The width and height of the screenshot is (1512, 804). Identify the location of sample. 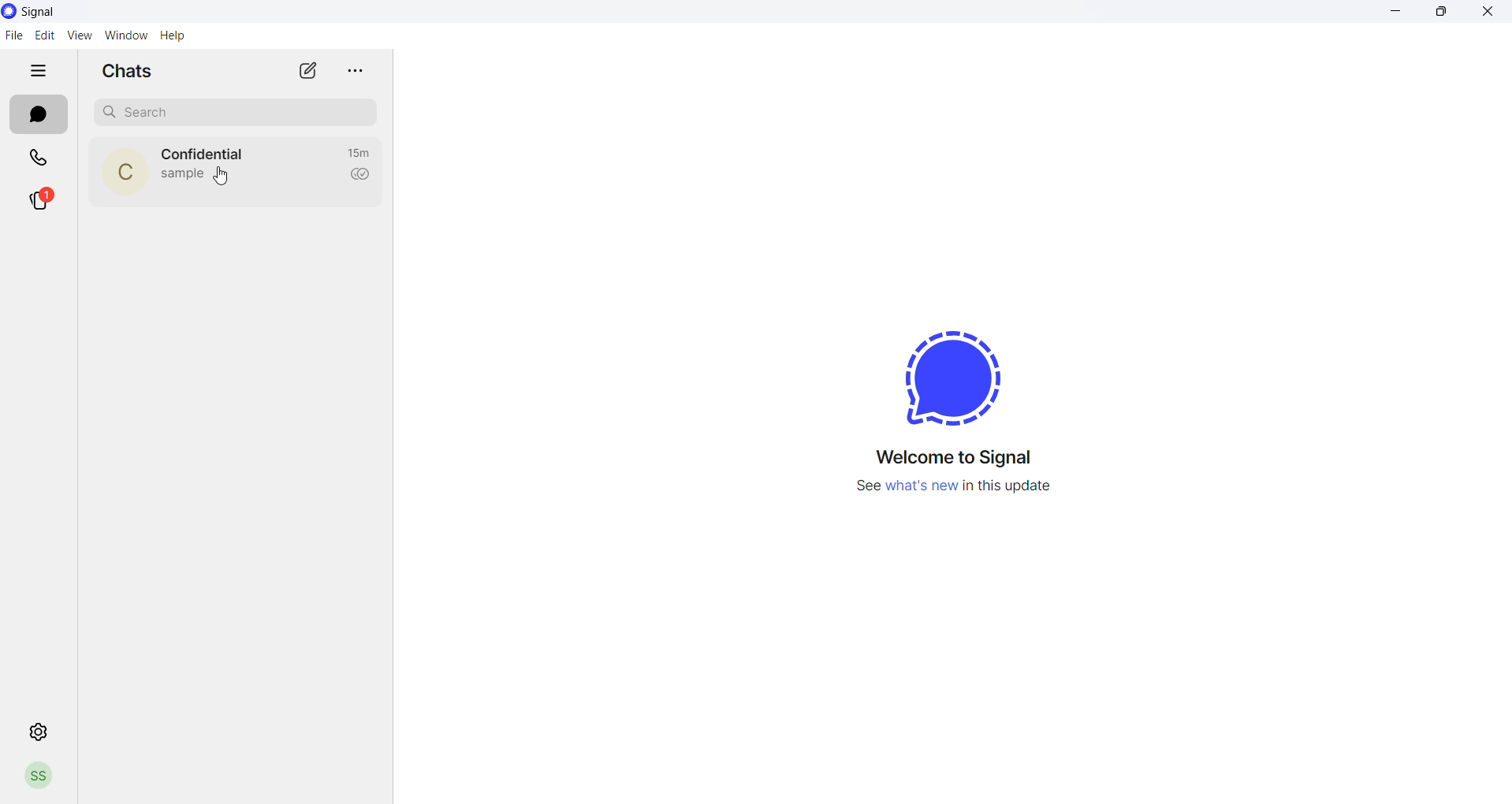
(184, 176).